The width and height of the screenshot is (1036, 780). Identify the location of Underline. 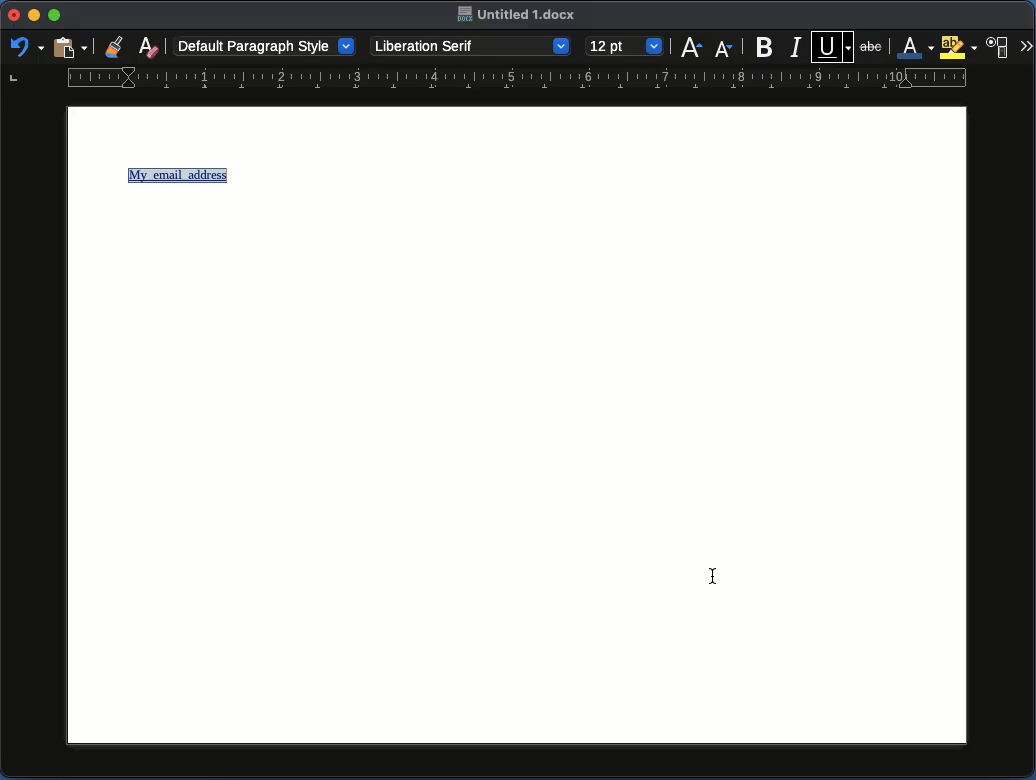
(833, 45).